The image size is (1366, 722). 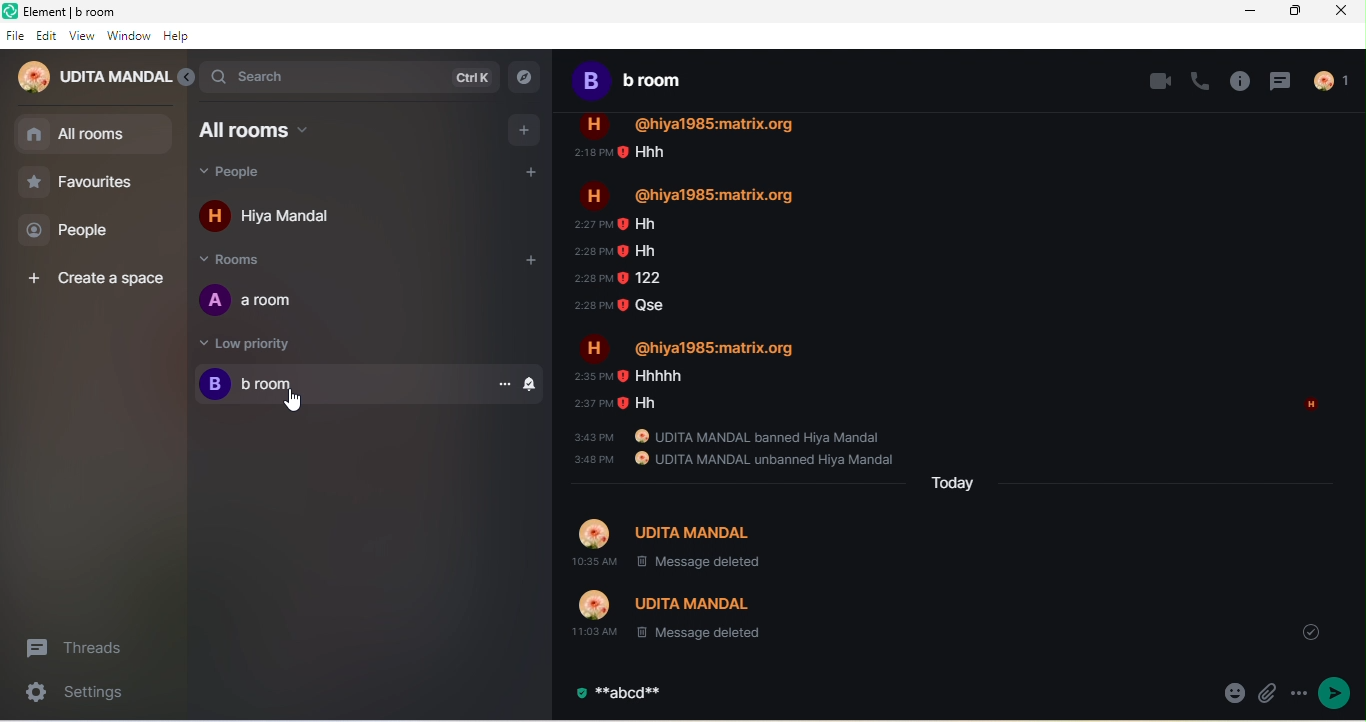 What do you see at coordinates (1161, 83) in the screenshot?
I see `video call` at bounding box center [1161, 83].